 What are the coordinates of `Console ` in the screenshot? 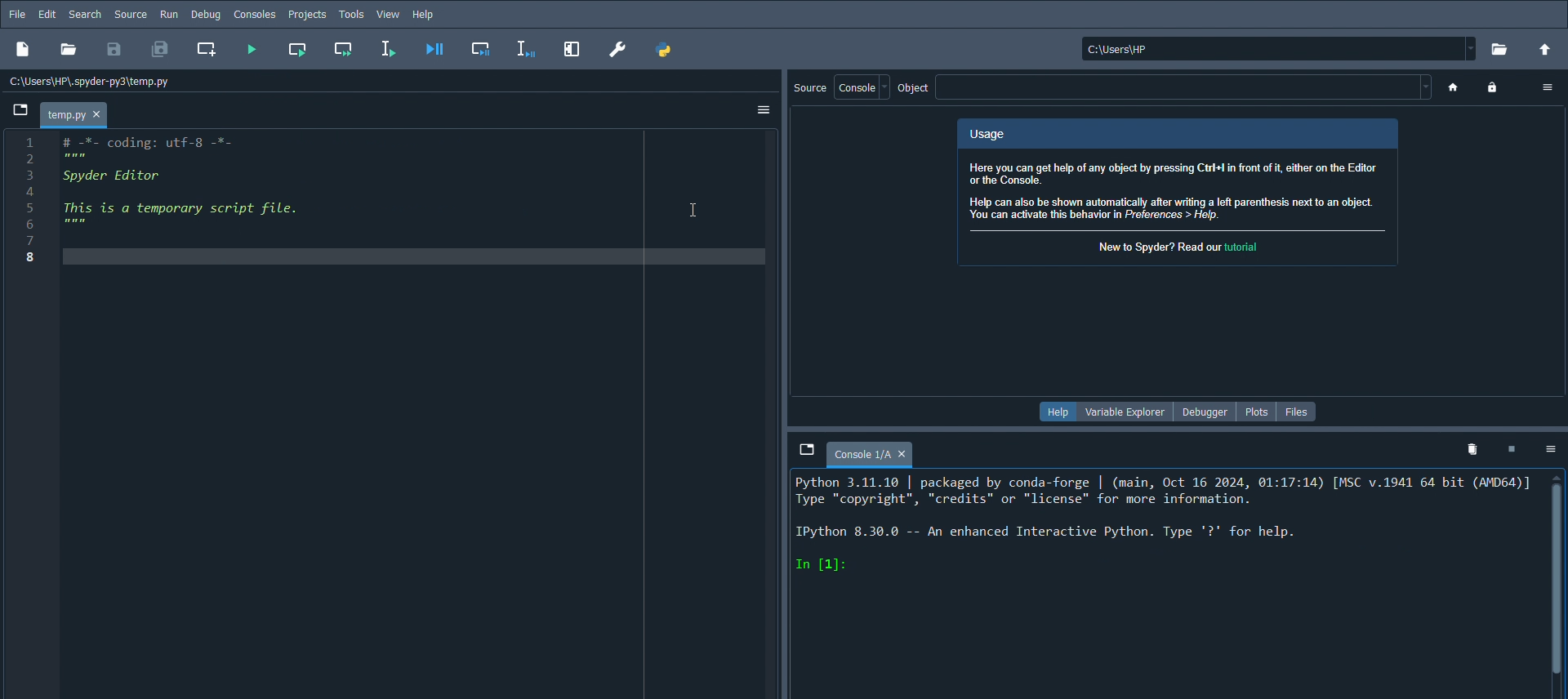 It's located at (856, 87).